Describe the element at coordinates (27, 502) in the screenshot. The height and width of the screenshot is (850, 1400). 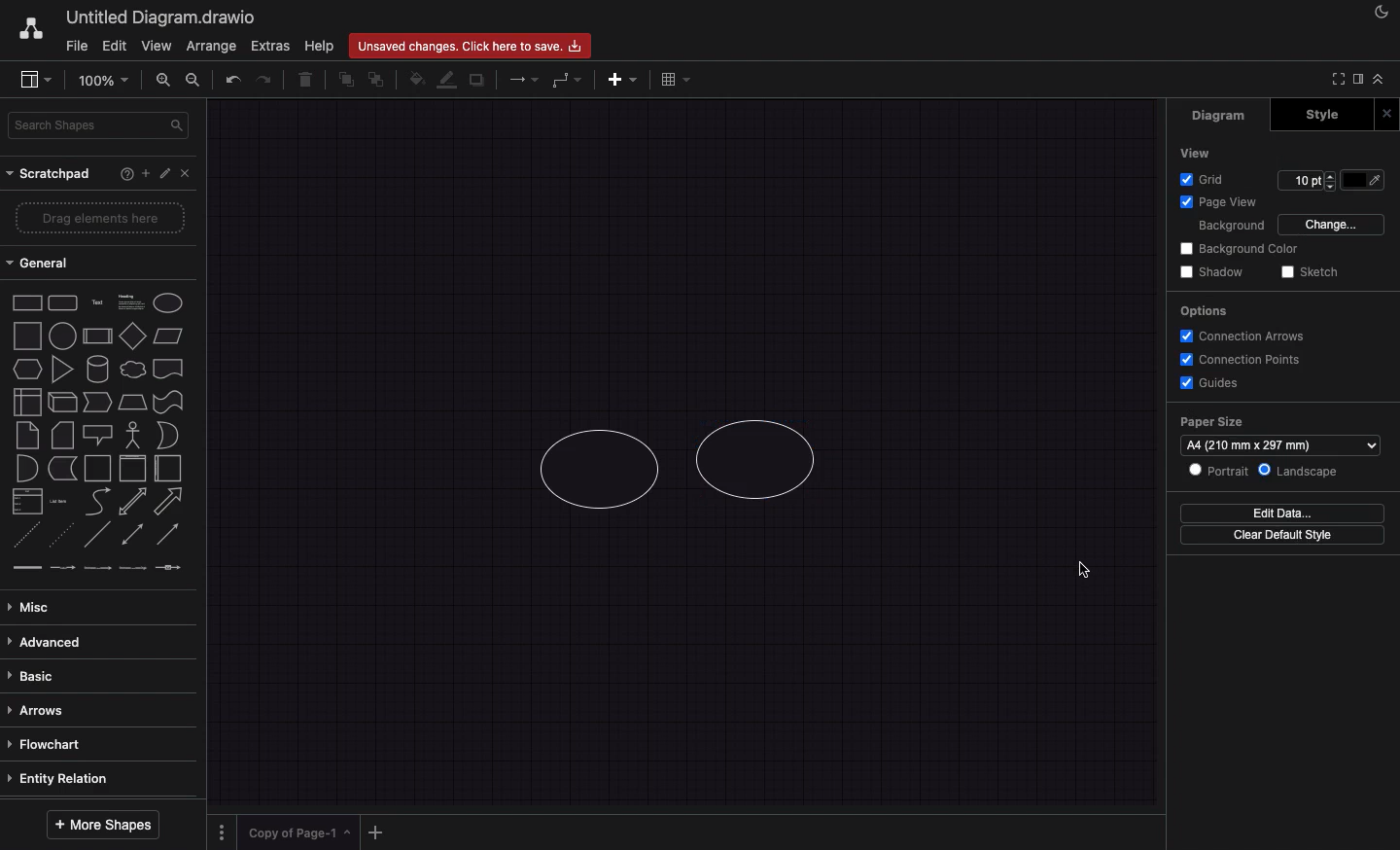
I see `list` at that location.